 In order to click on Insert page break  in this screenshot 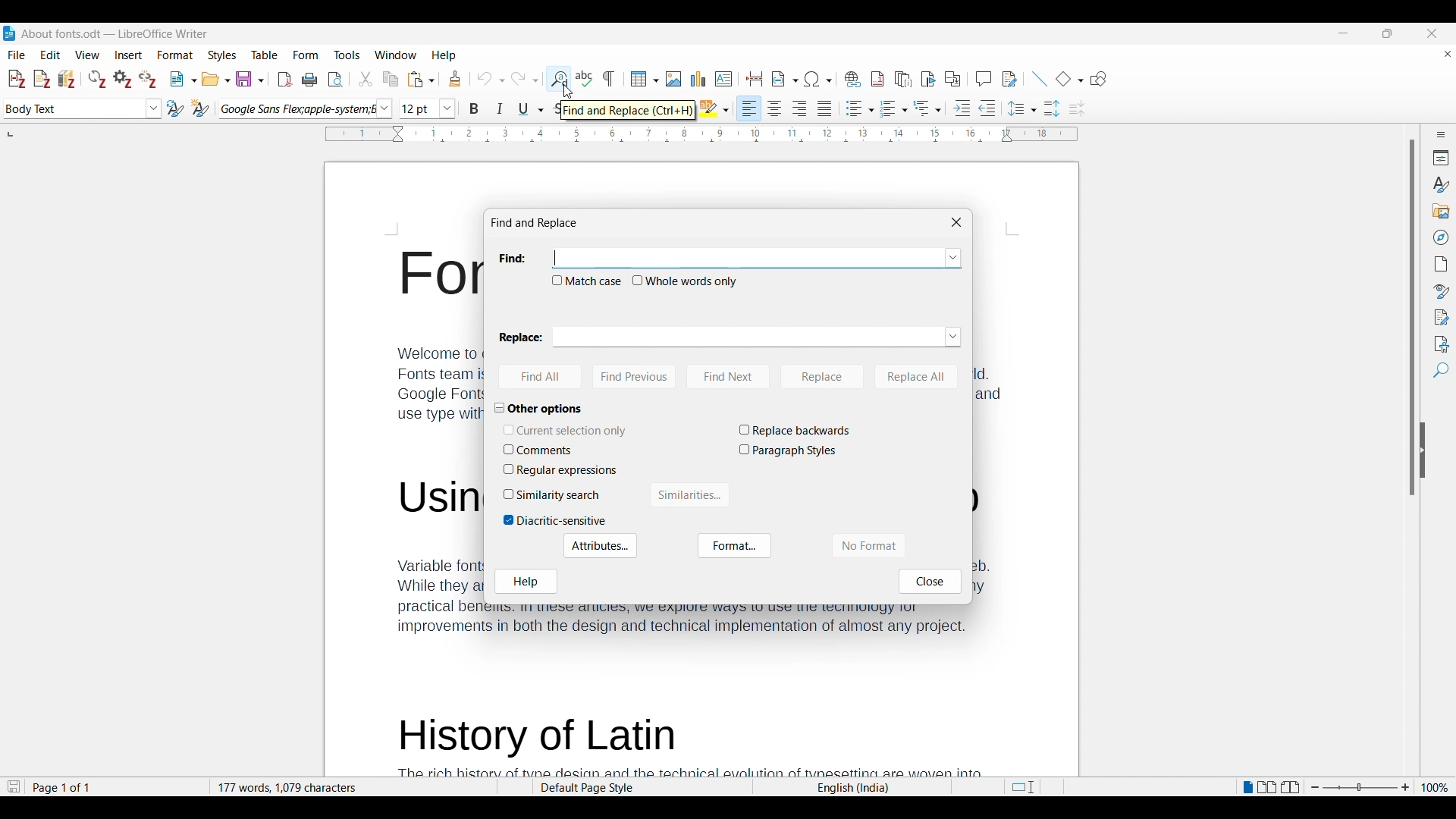, I will do `click(755, 79)`.